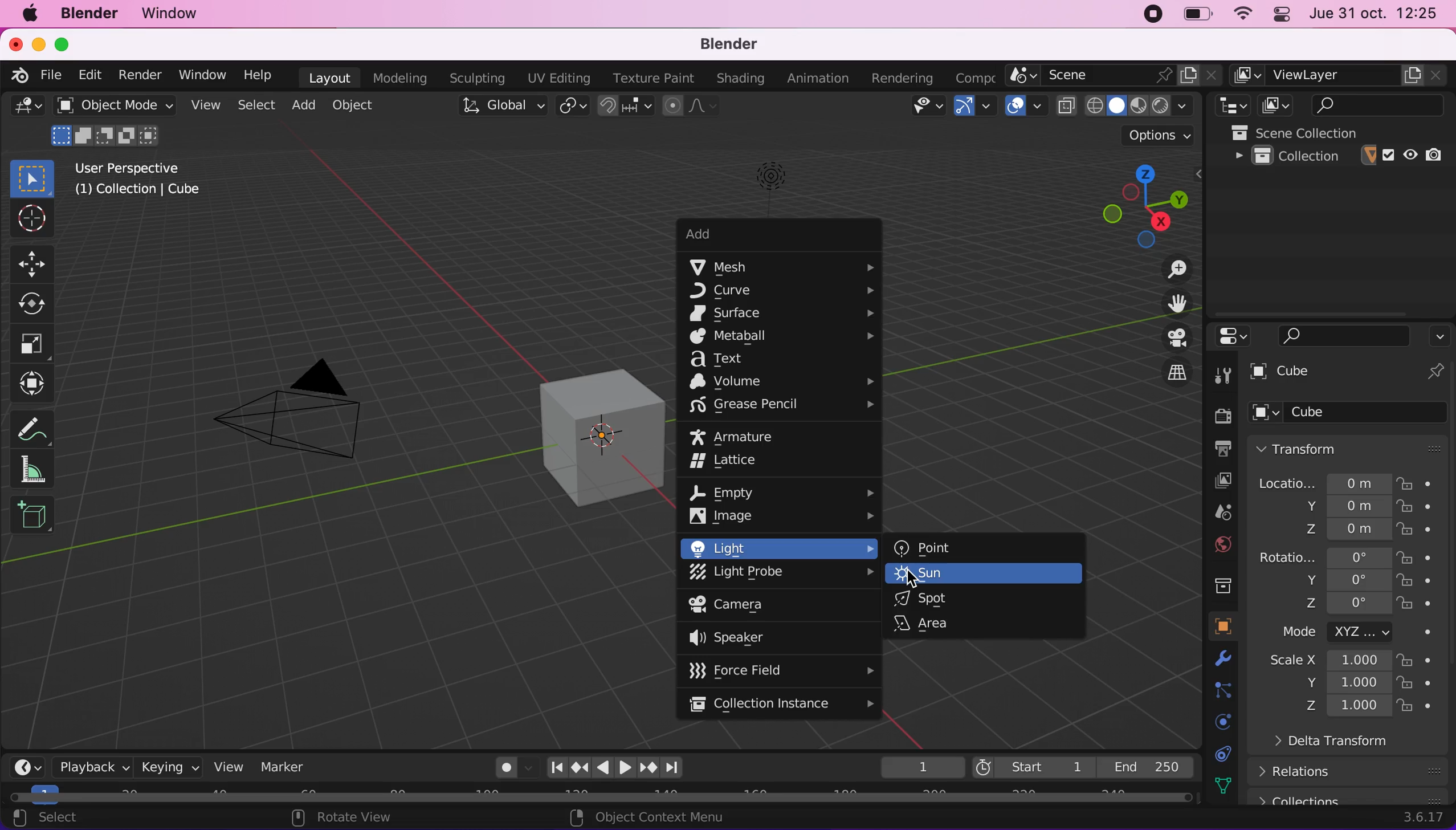 The width and height of the screenshot is (1456, 830). What do you see at coordinates (1343, 605) in the screenshot?
I see `z 0` at bounding box center [1343, 605].